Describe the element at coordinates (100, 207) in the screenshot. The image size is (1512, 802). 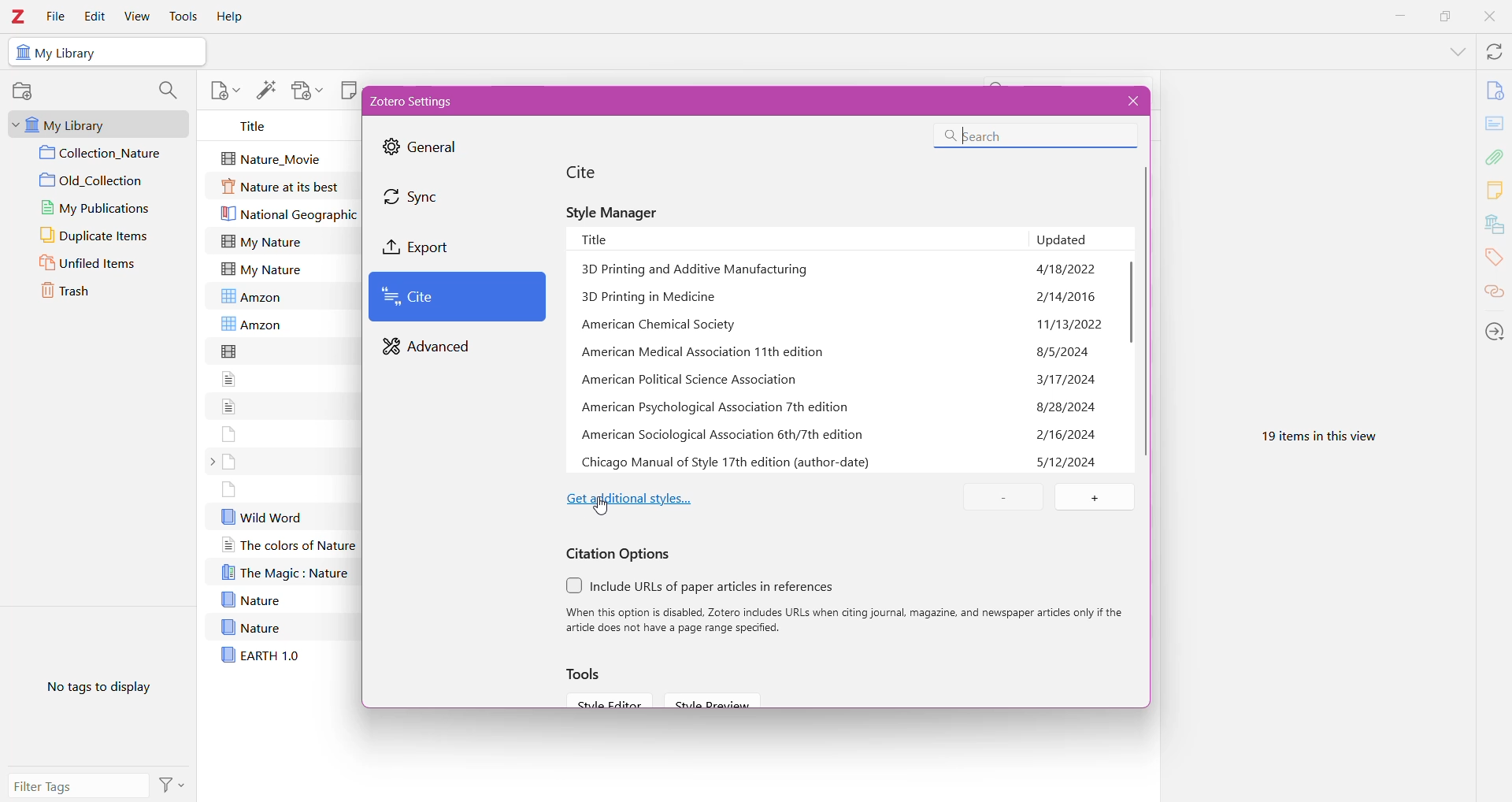
I see `My Publications` at that location.